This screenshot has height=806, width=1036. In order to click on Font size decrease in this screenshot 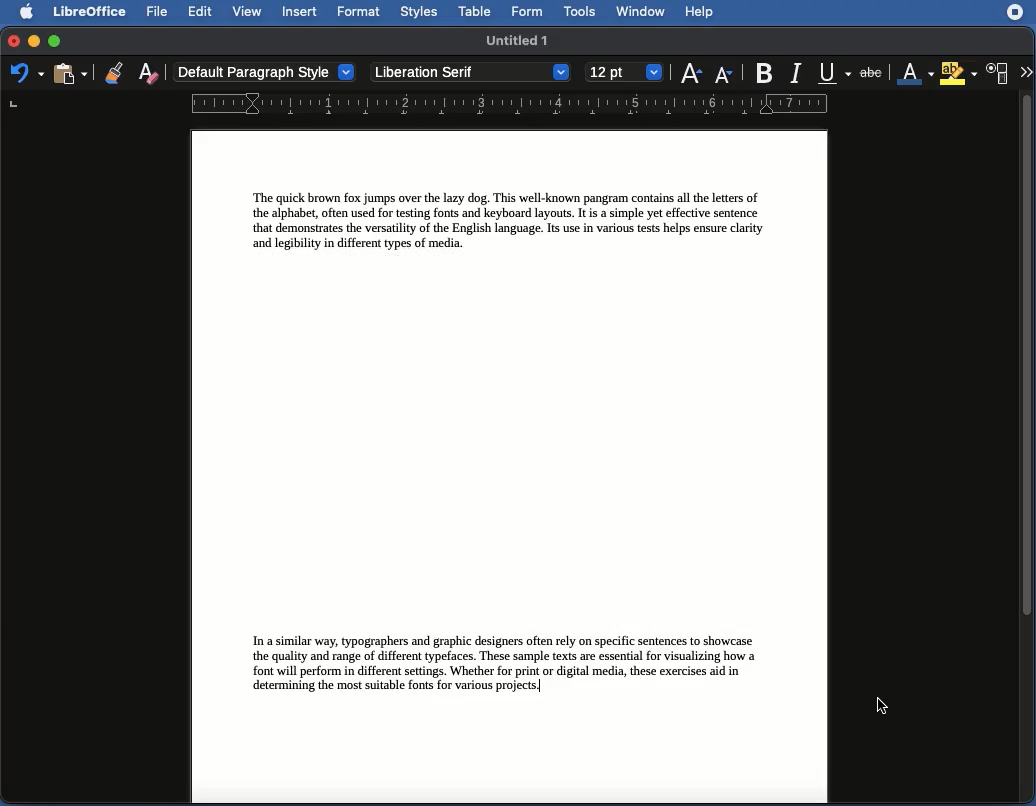, I will do `click(726, 75)`.